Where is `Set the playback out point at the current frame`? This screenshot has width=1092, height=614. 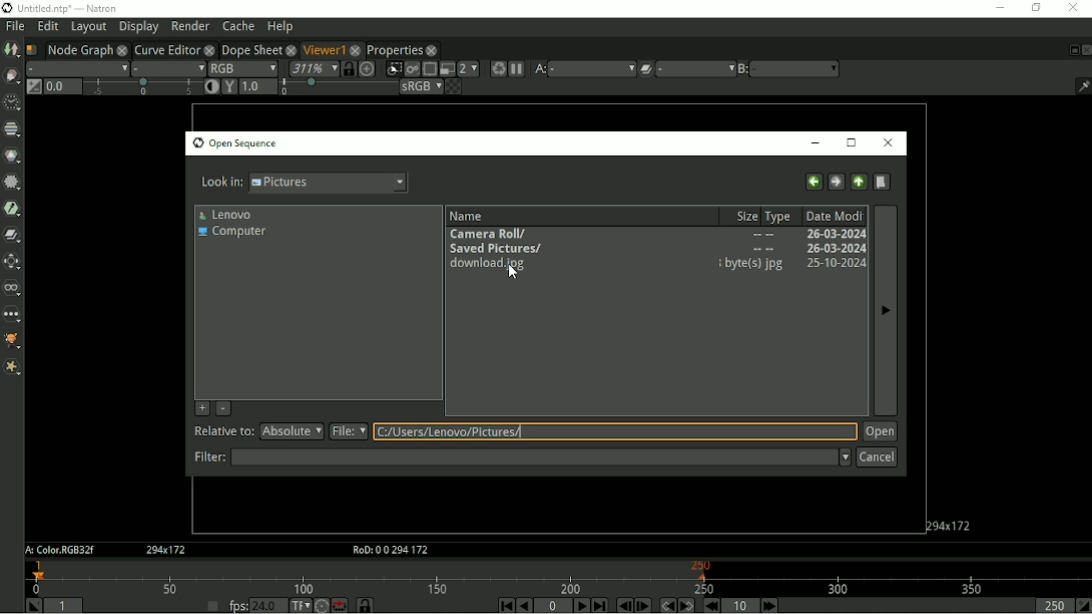
Set the playback out point at the current frame is located at coordinates (1083, 606).